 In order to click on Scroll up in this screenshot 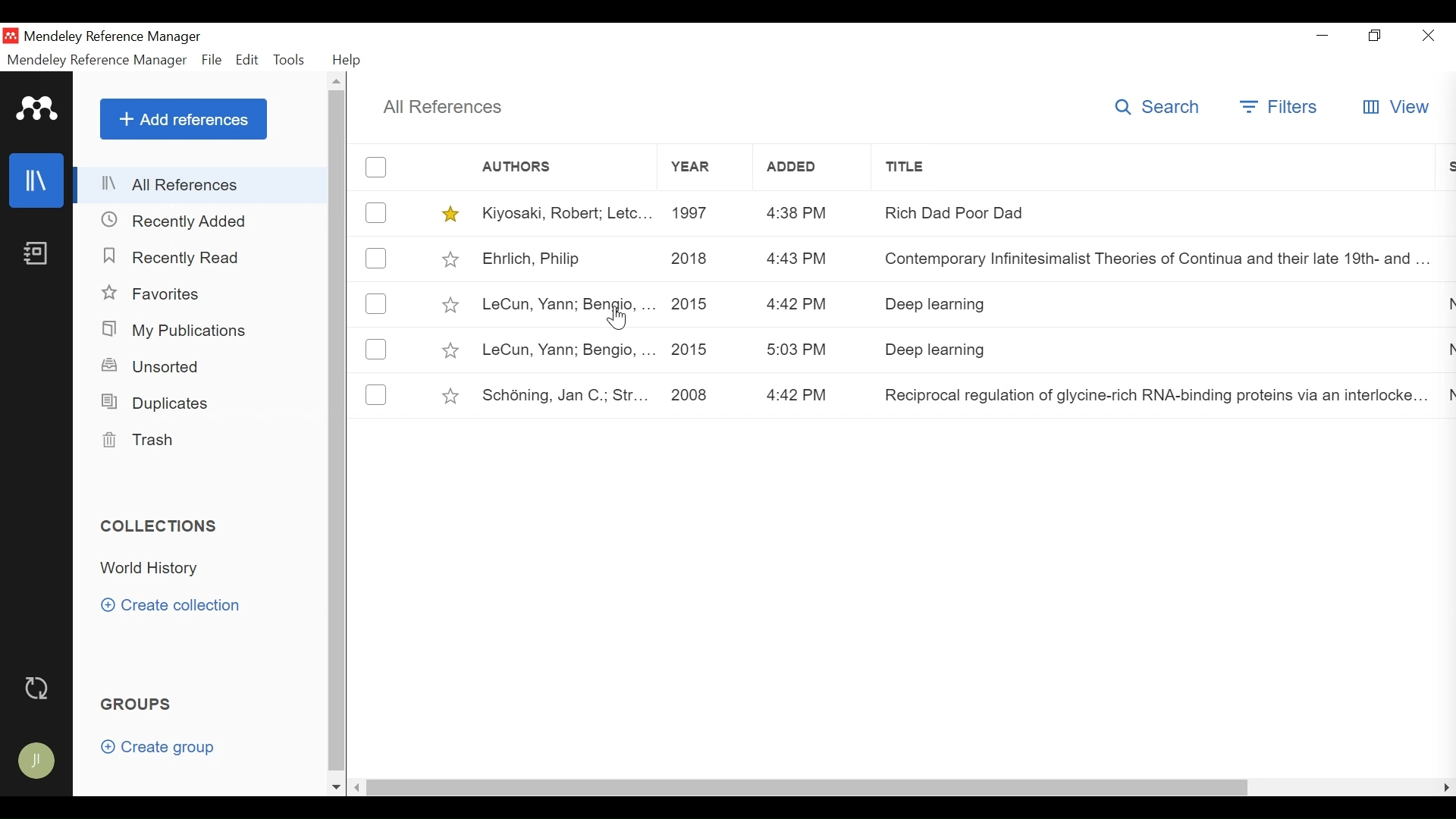, I will do `click(338, 83)`.